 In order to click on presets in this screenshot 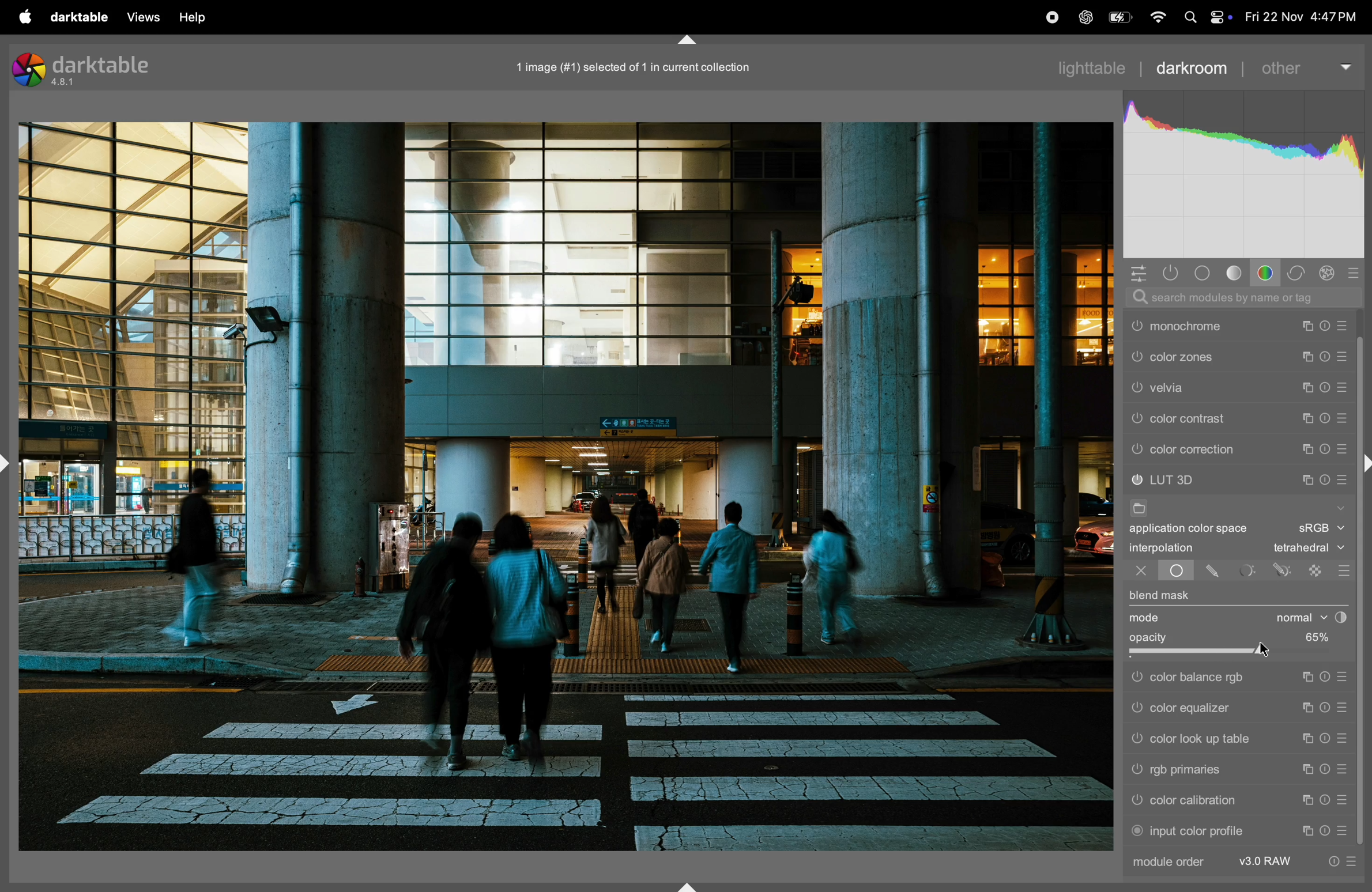, I will do `click(1341, 738)`.